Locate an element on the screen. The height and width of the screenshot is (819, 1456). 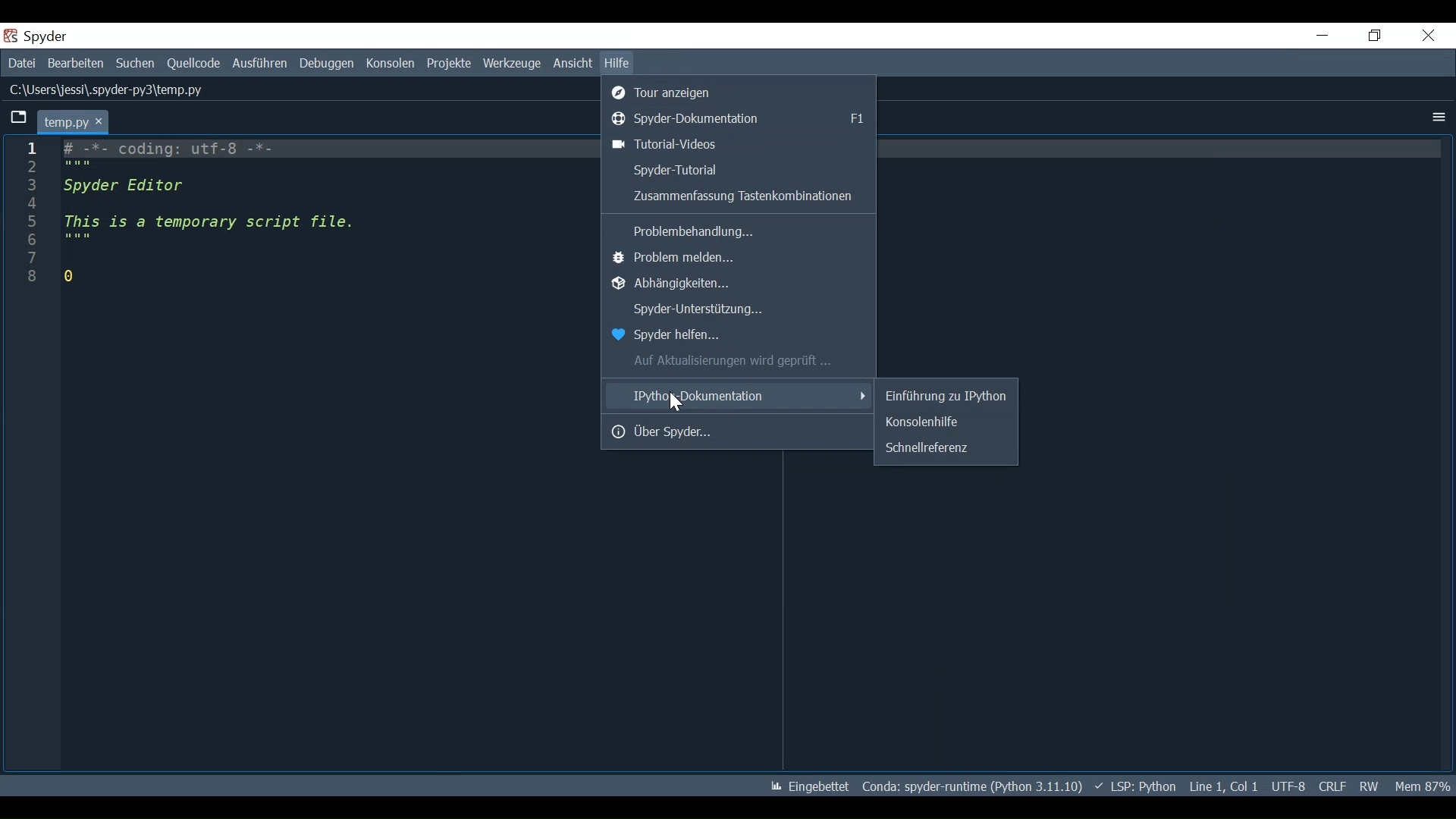
Browse Tab is located at coordinates (17, 119).